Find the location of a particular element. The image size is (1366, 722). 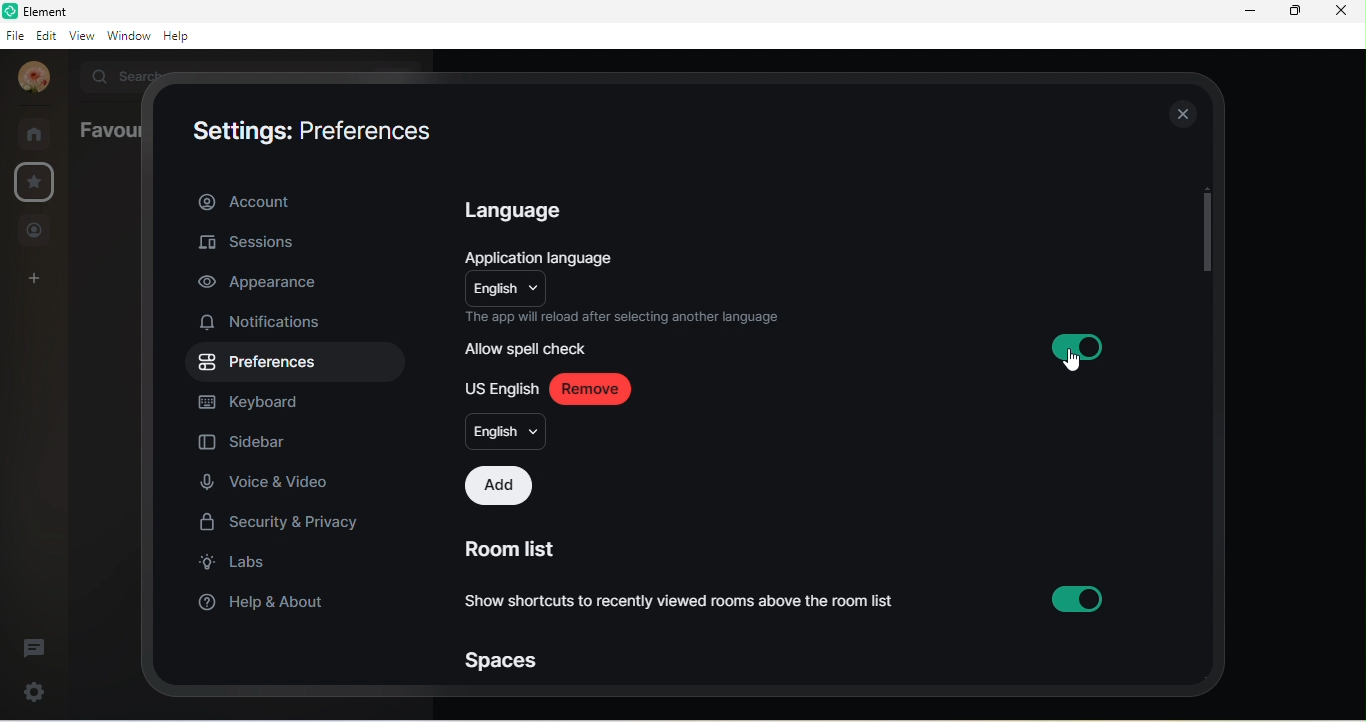

file is located at coordinates (15, 35).